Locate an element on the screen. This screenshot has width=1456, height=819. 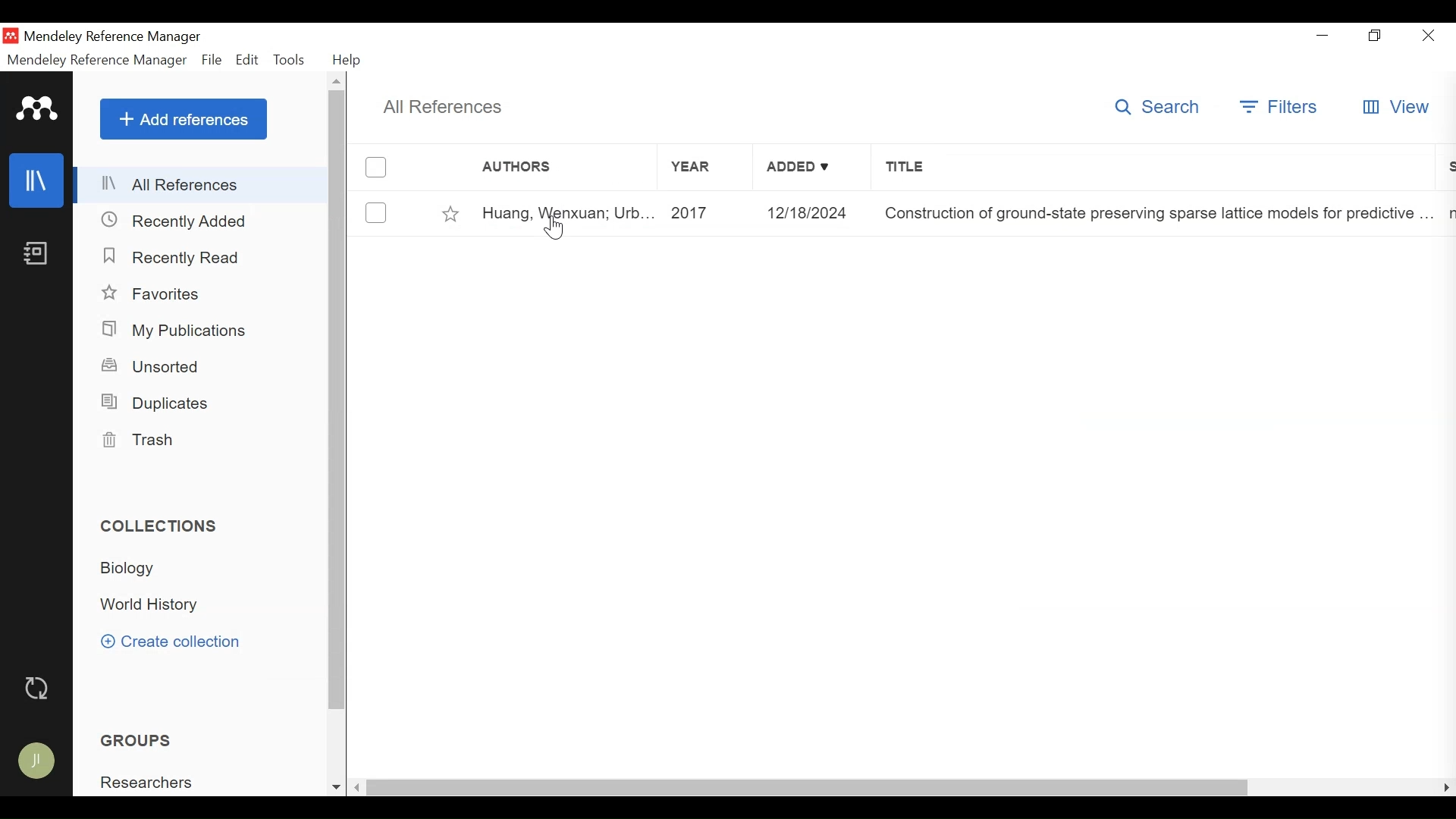
Huang, Wenxuan; Urb... is located at coordinates (566, 213).